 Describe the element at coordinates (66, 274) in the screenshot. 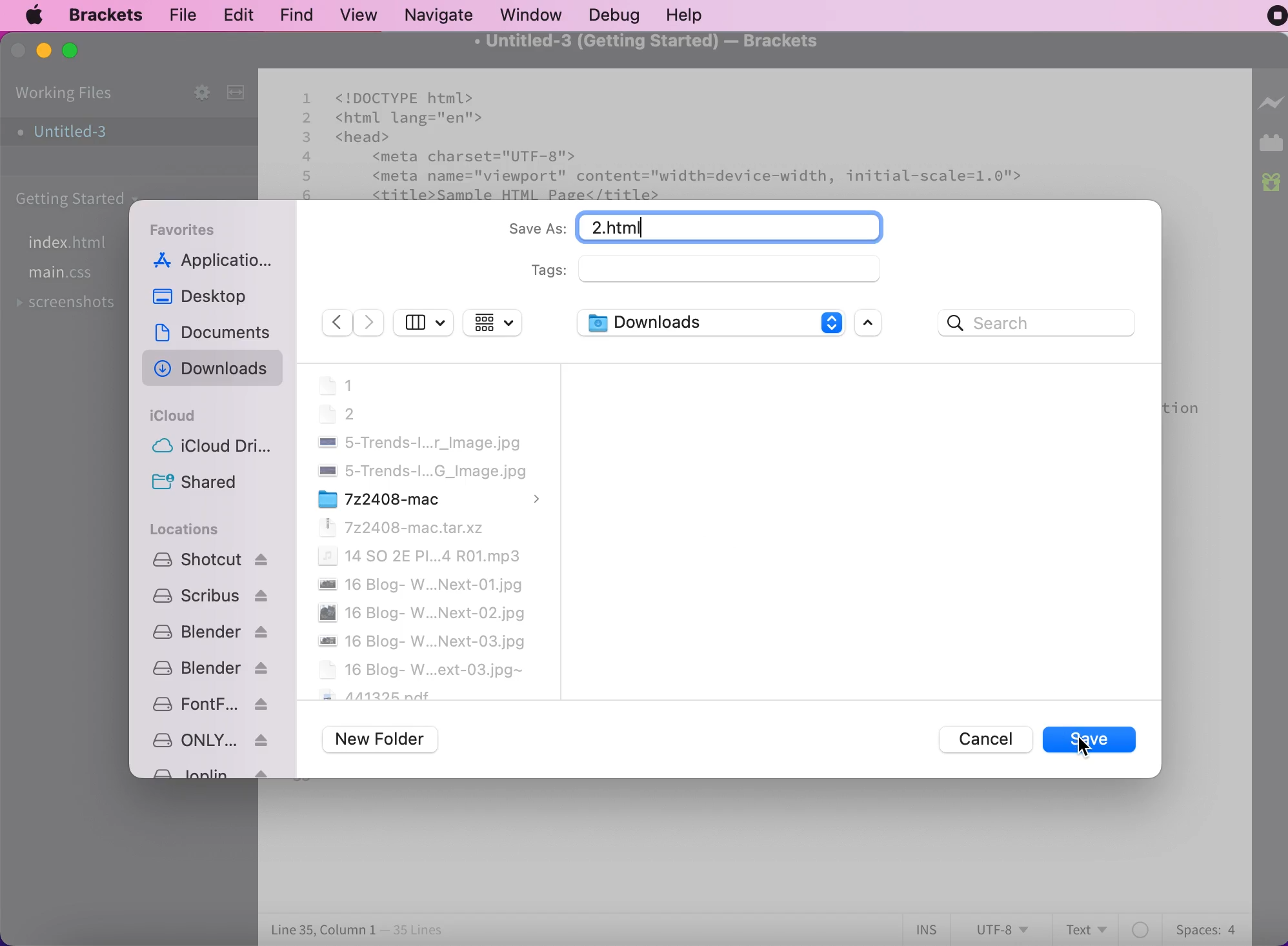

I see `file main.css` at that location.